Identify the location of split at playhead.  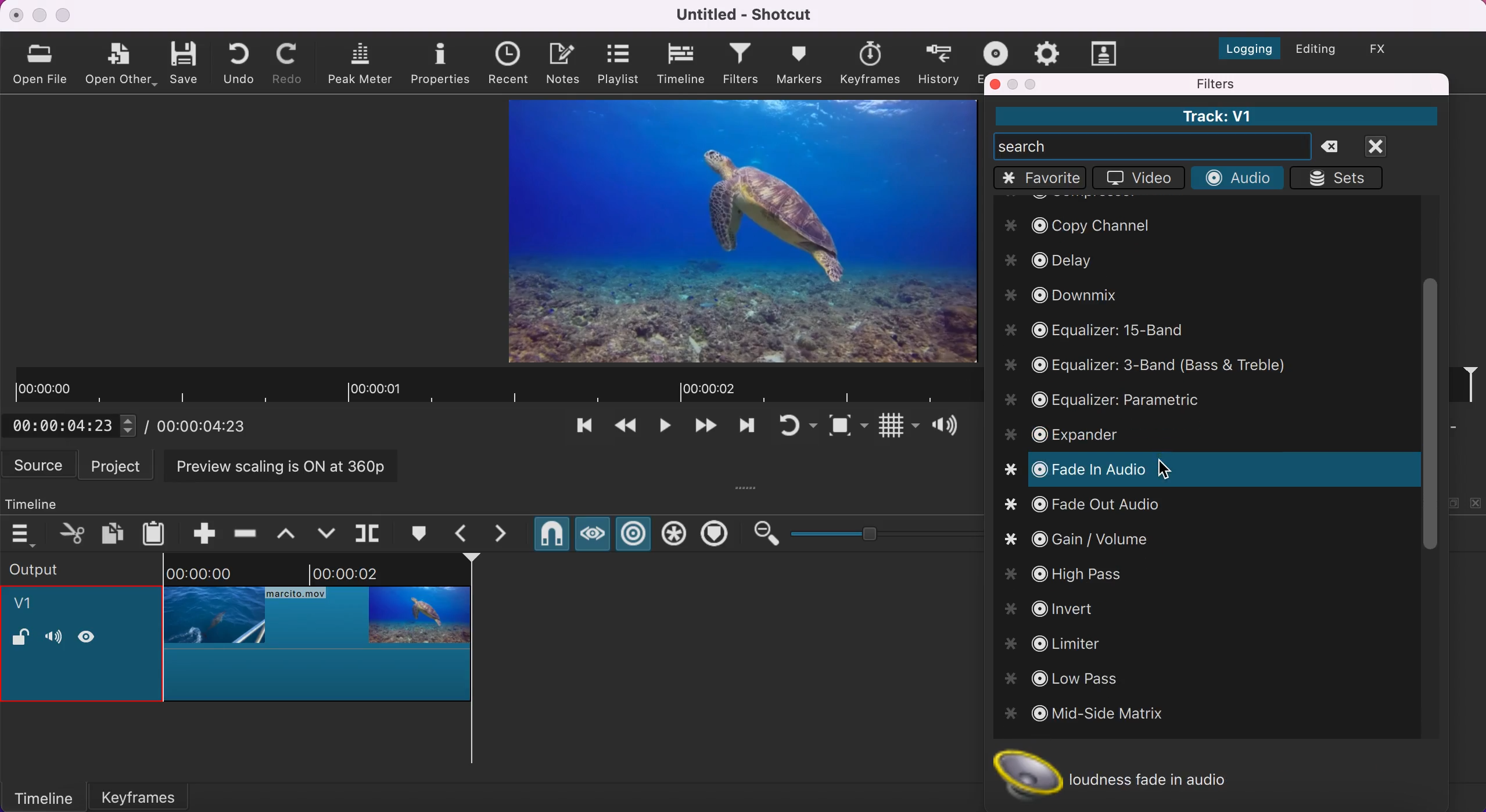
(370, 534).